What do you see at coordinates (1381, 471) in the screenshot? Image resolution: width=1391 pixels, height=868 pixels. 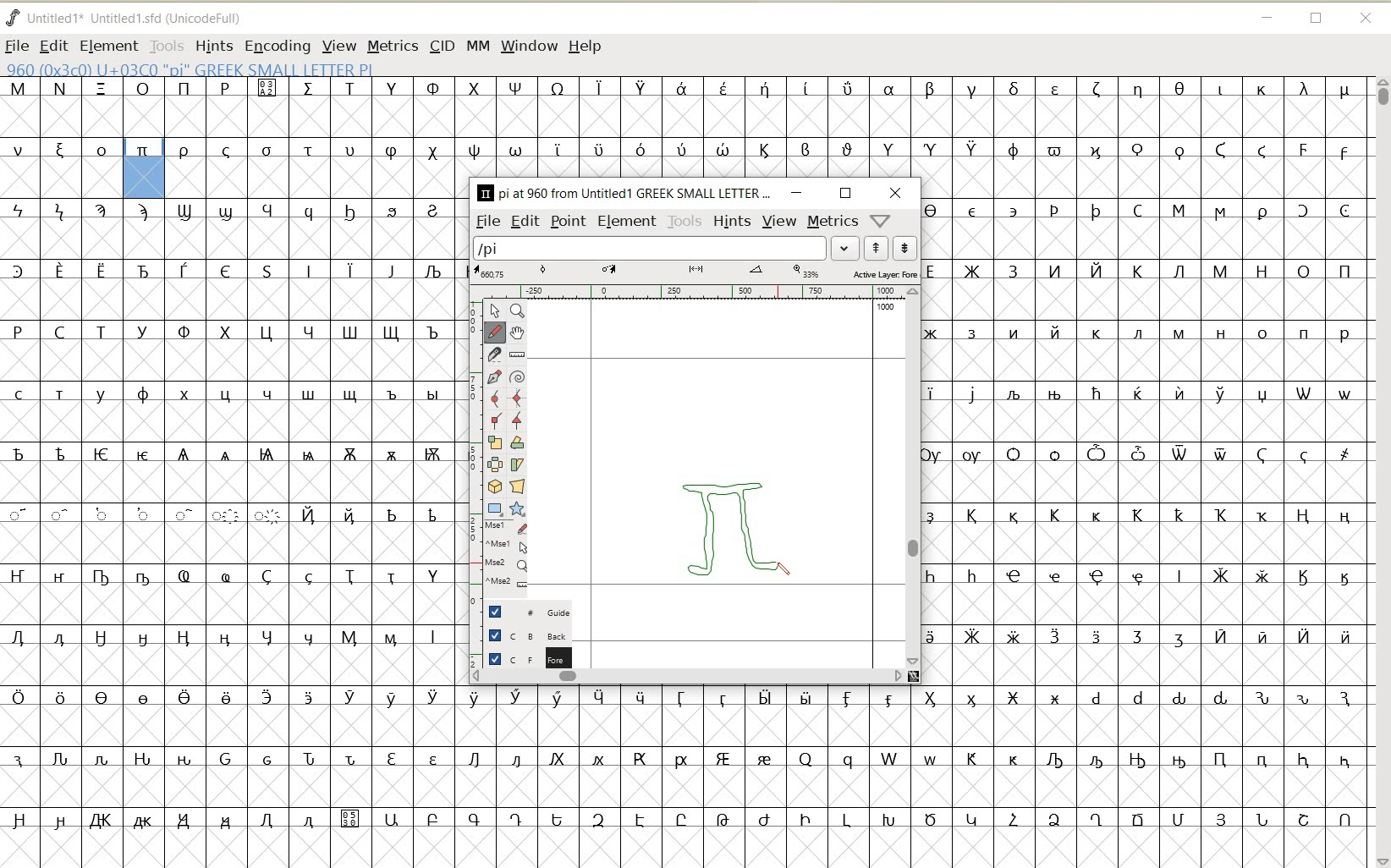 I see `SCROLLBAR` at bounding box center [1381, 471].